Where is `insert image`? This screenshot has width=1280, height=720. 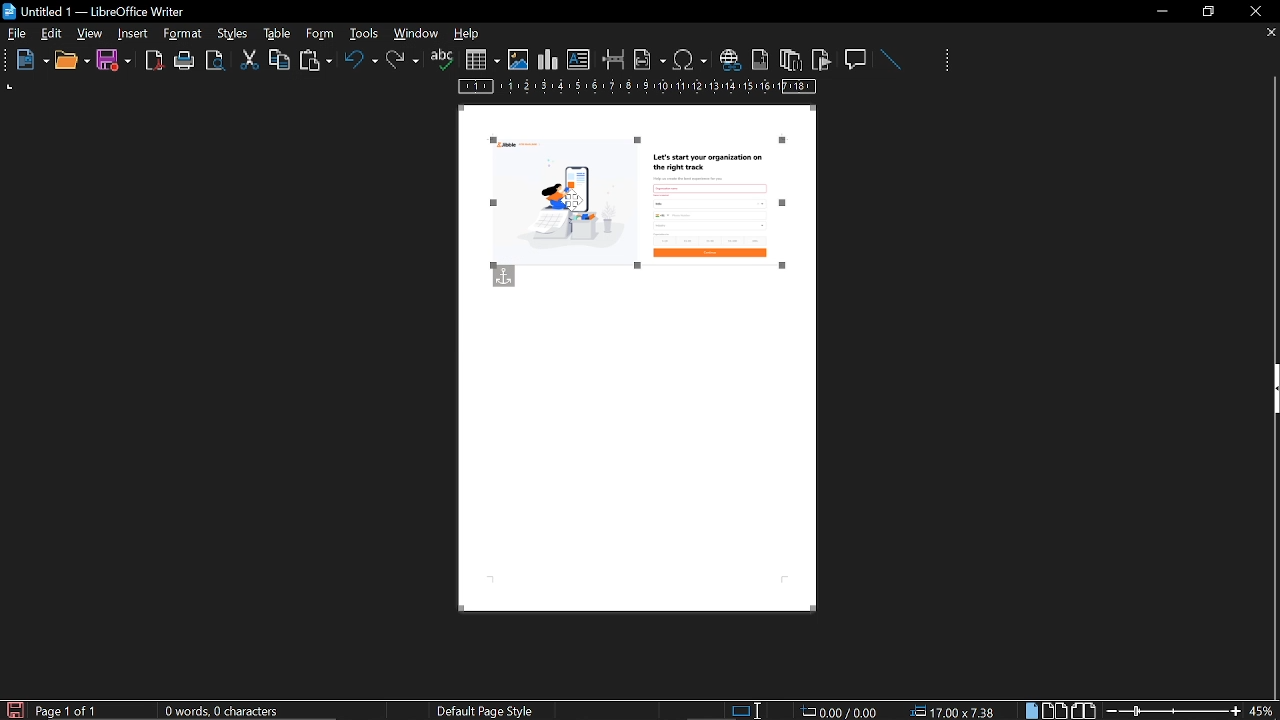 insert image is located at coordinates (518, 60).